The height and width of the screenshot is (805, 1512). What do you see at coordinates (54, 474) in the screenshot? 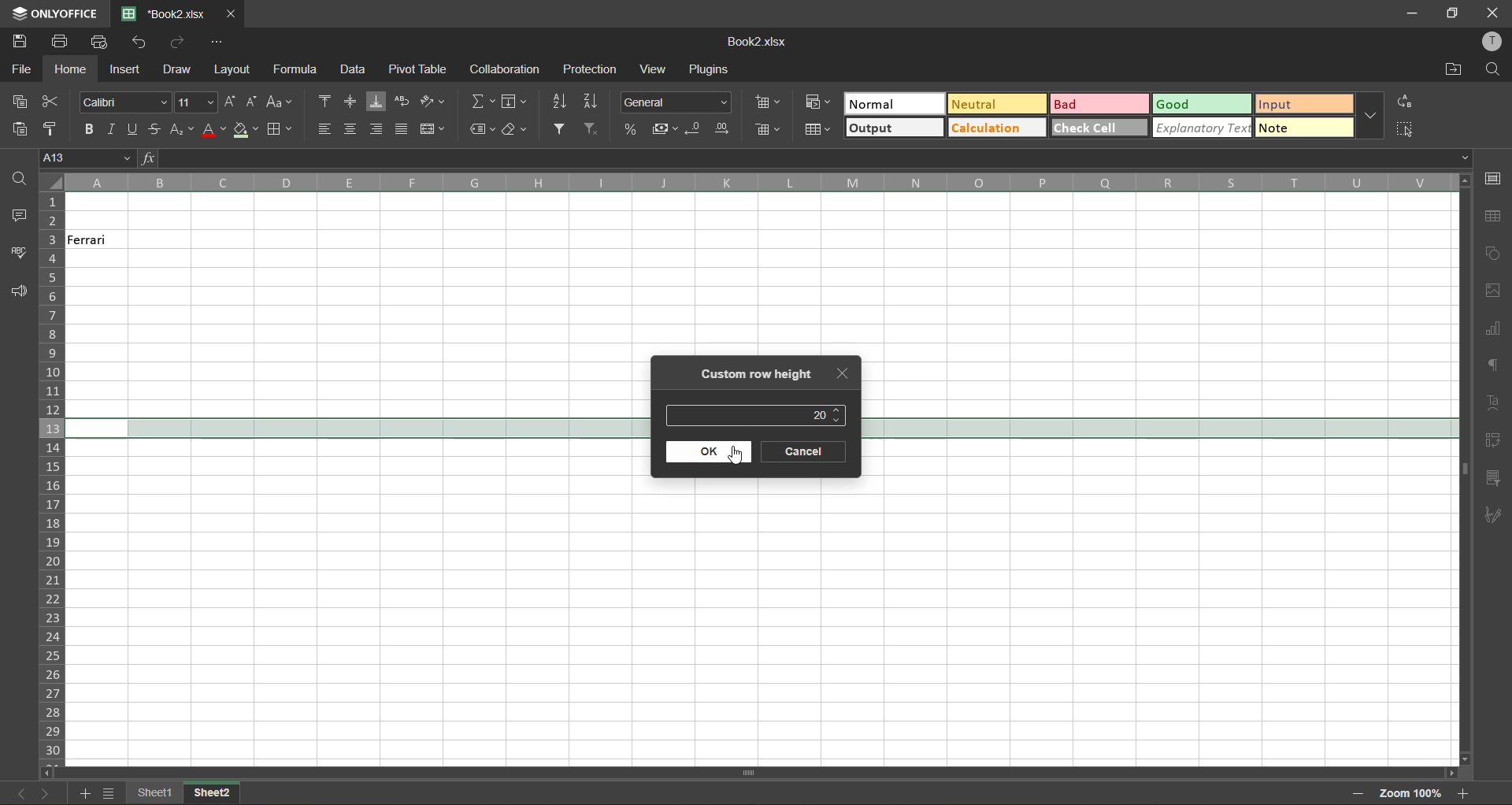
I see `row numbers` at bounding box center [54, 474].